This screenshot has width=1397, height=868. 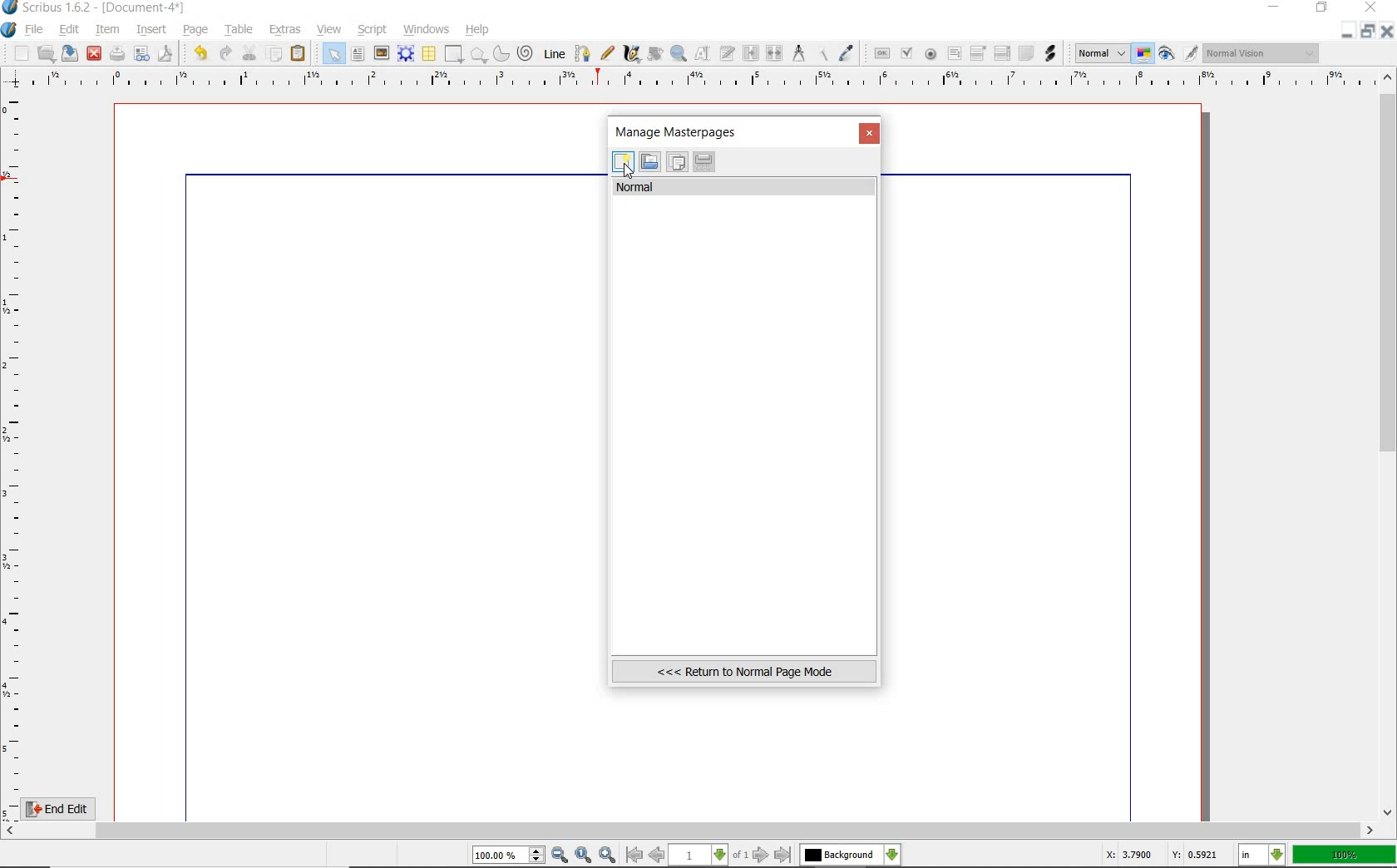 What do you see at coordinates (299, 54) in the screenshot?
I see `paste` at bounding box center [299, 54].